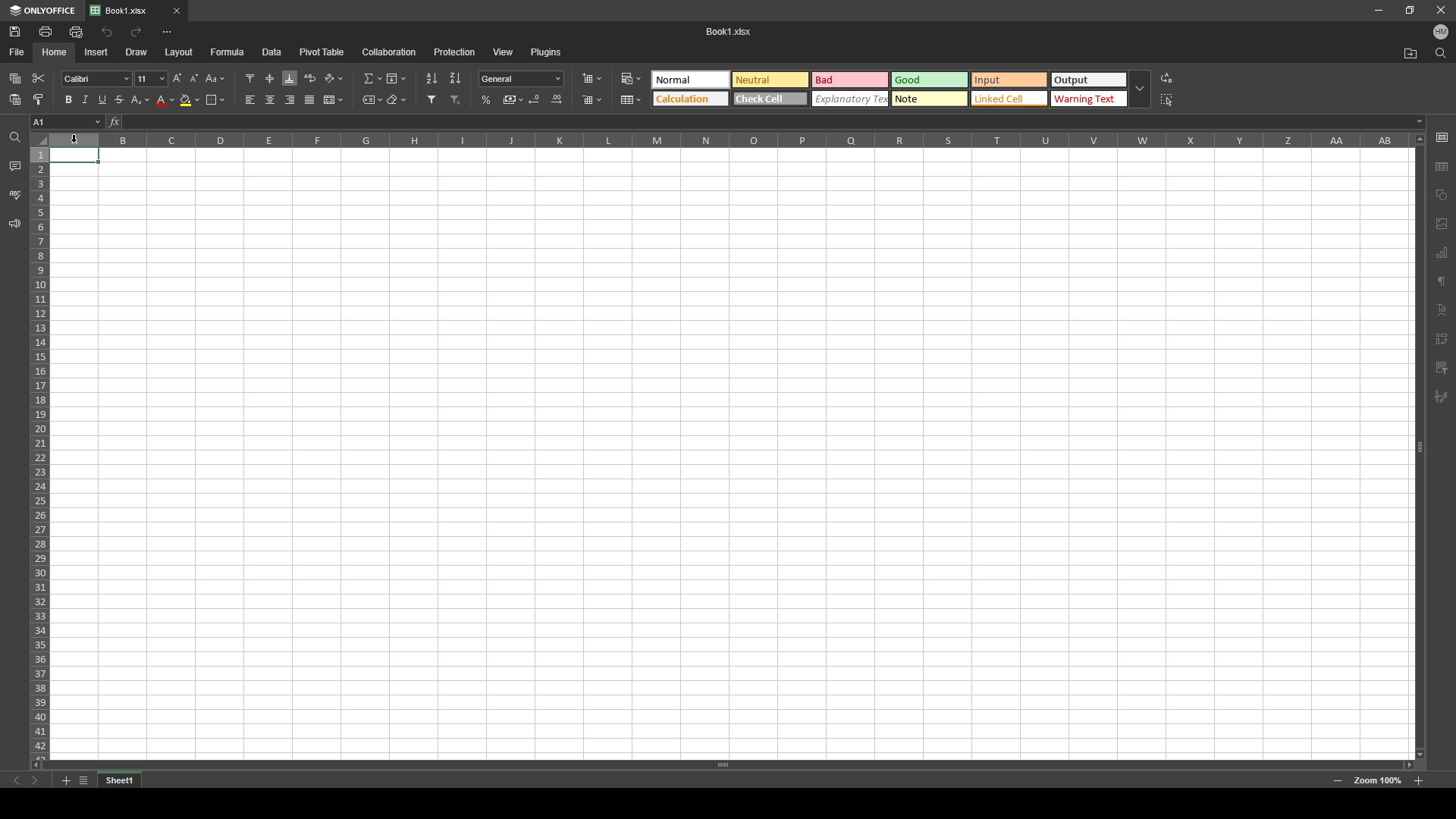 The image size is (1456, 819). What do you see at coordinates (107, 33) in the screenshot?
I see `undo` at bounding box center [107, 33].